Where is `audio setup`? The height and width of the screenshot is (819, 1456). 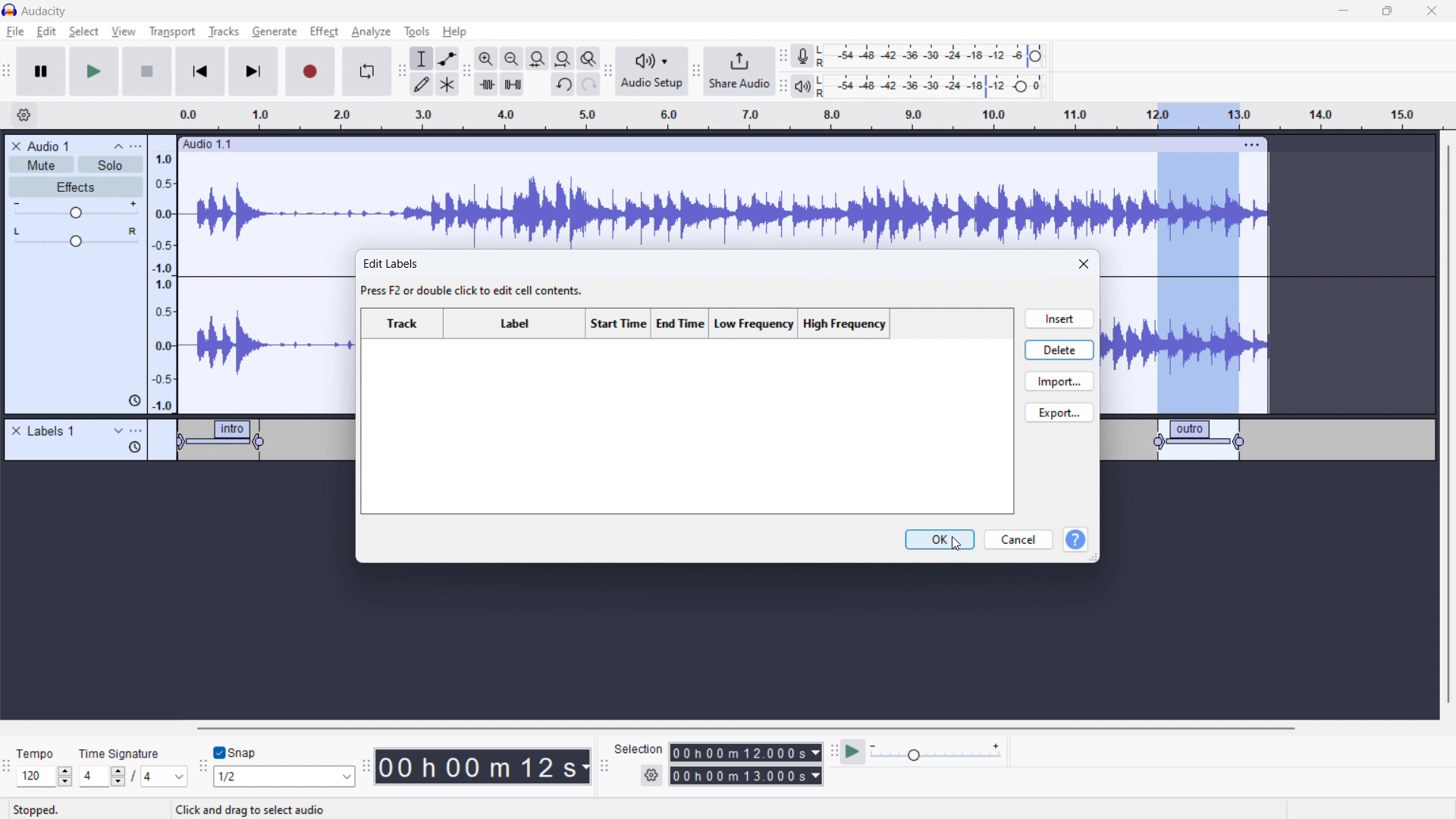
audio setup is located at coordinates (652, 72).